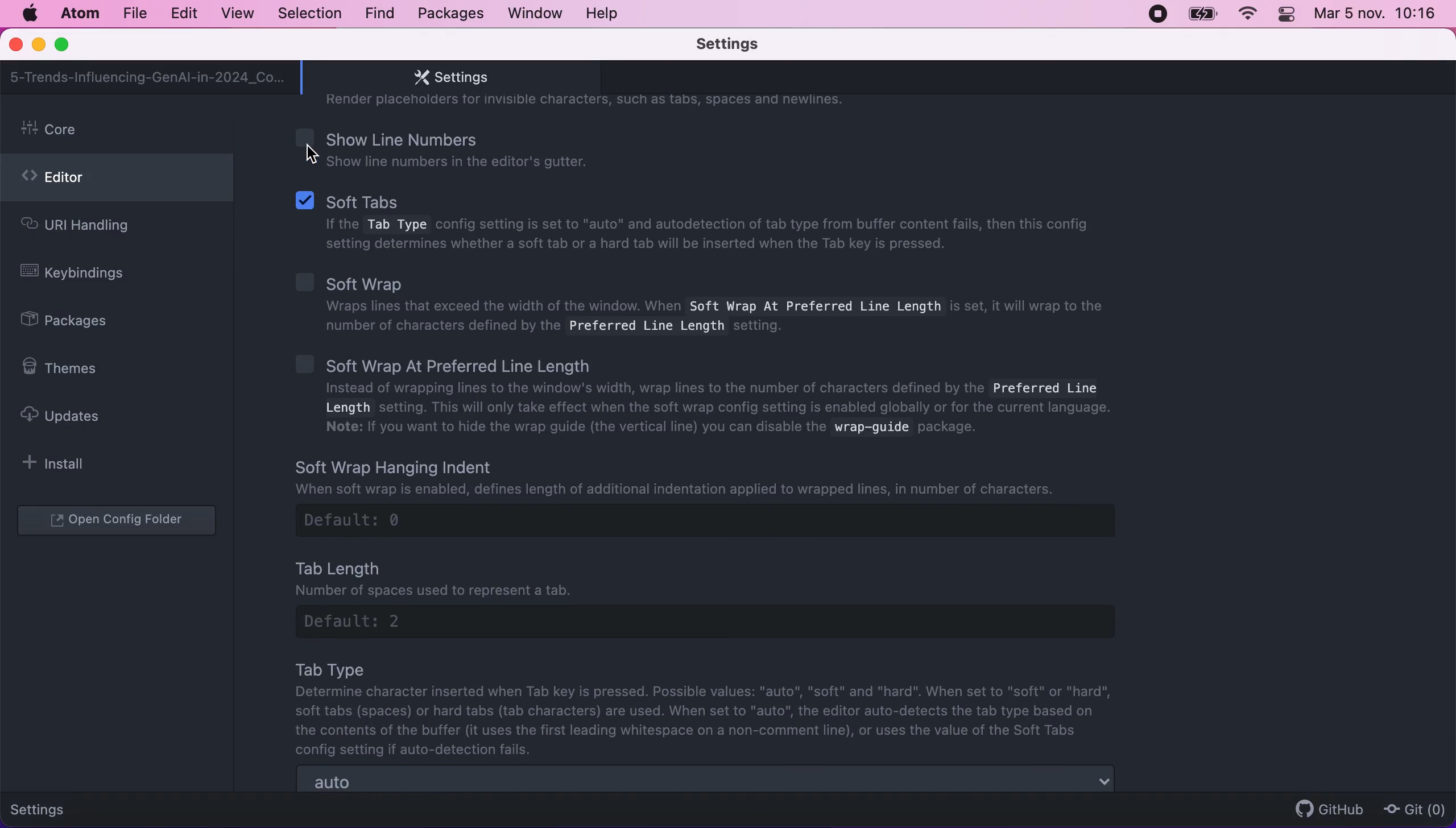 This screenshot has width=1456, height=828. What do you see at coordinates (96, 228) in the screenshot?
I see `URI handling` at bounding box center [96, 228].